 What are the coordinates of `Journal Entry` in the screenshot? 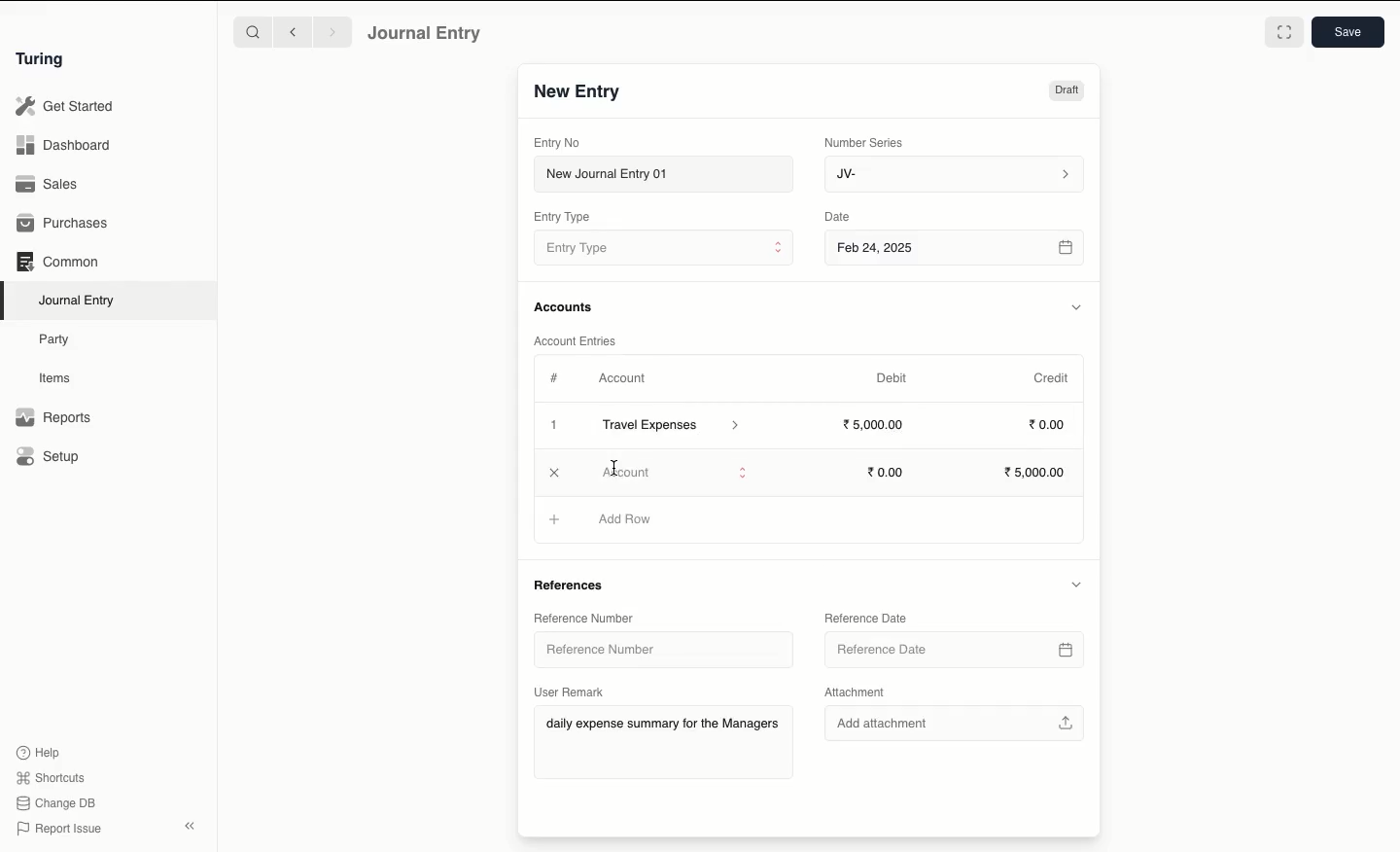 It's located at (426, 34).